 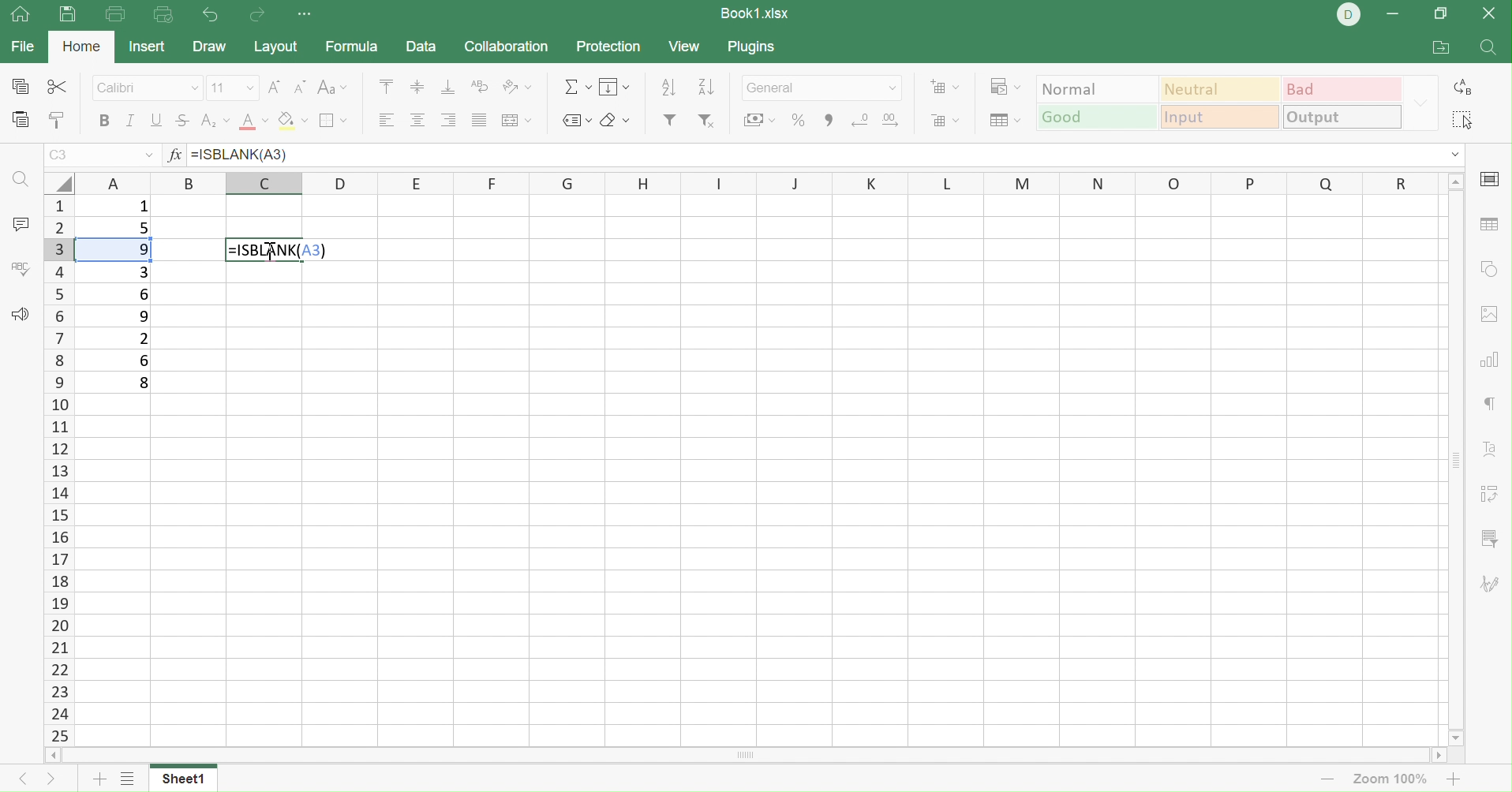 I want to click on Next, so click(x=49, y=781).